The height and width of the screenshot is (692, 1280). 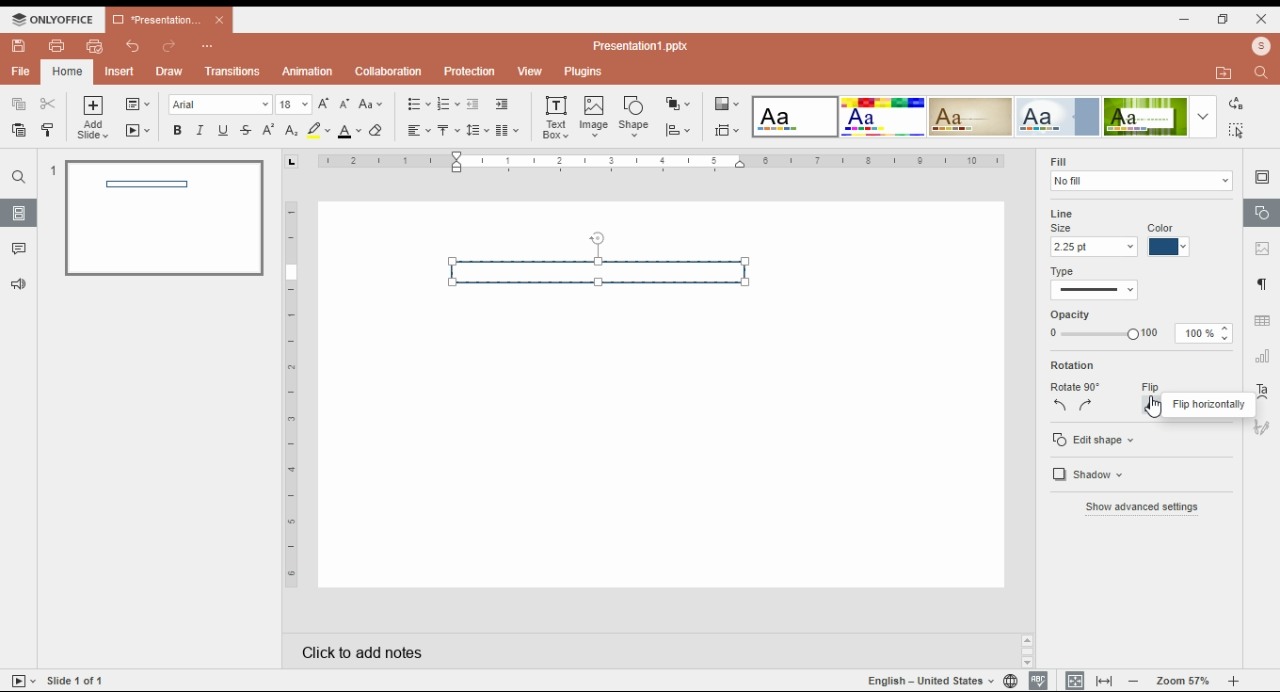 I want to click on Slide 1 of 1, so click(x=76, y=680).